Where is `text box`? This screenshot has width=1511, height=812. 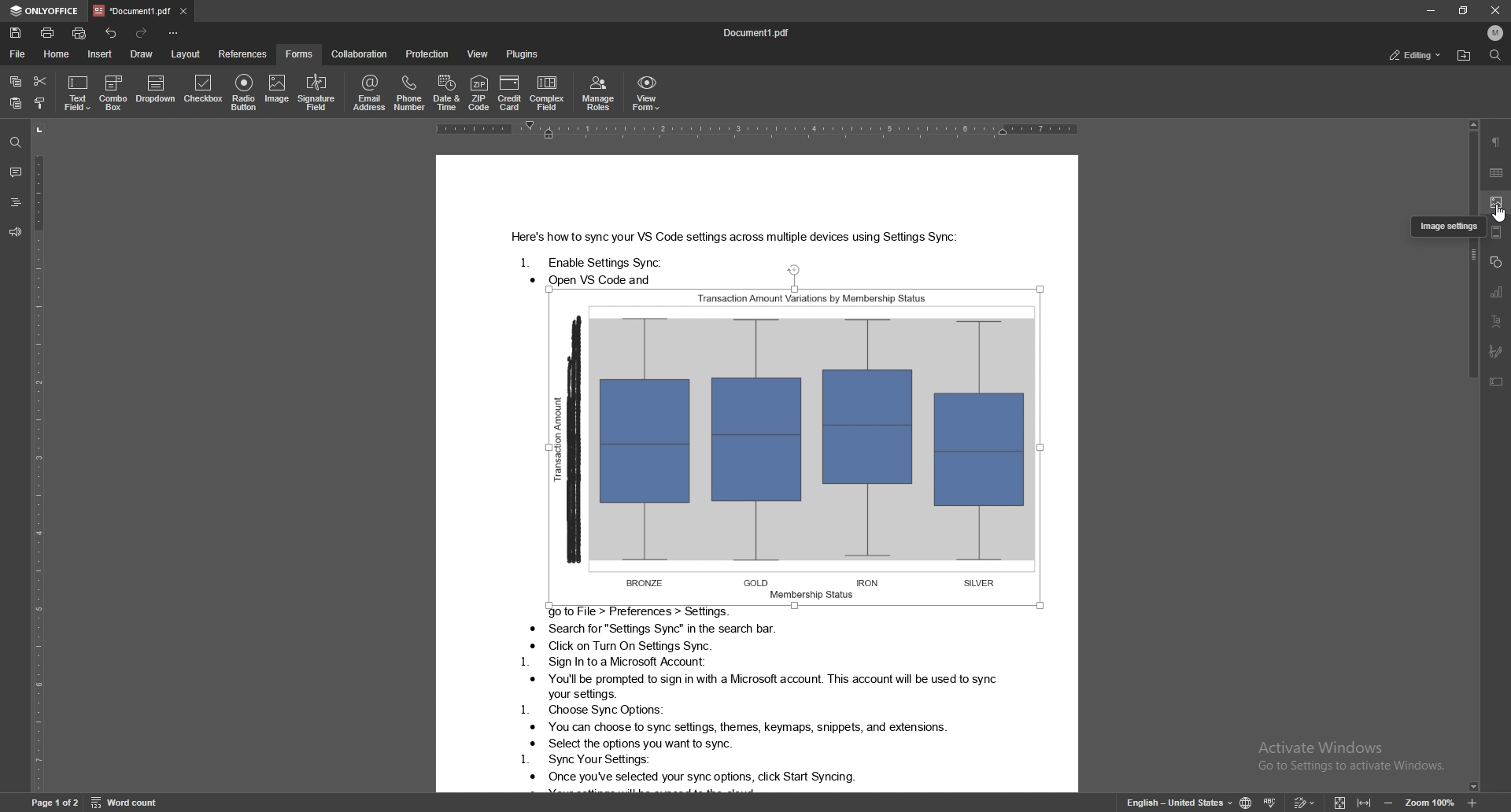
text box is located at coordinates (1496, 382).